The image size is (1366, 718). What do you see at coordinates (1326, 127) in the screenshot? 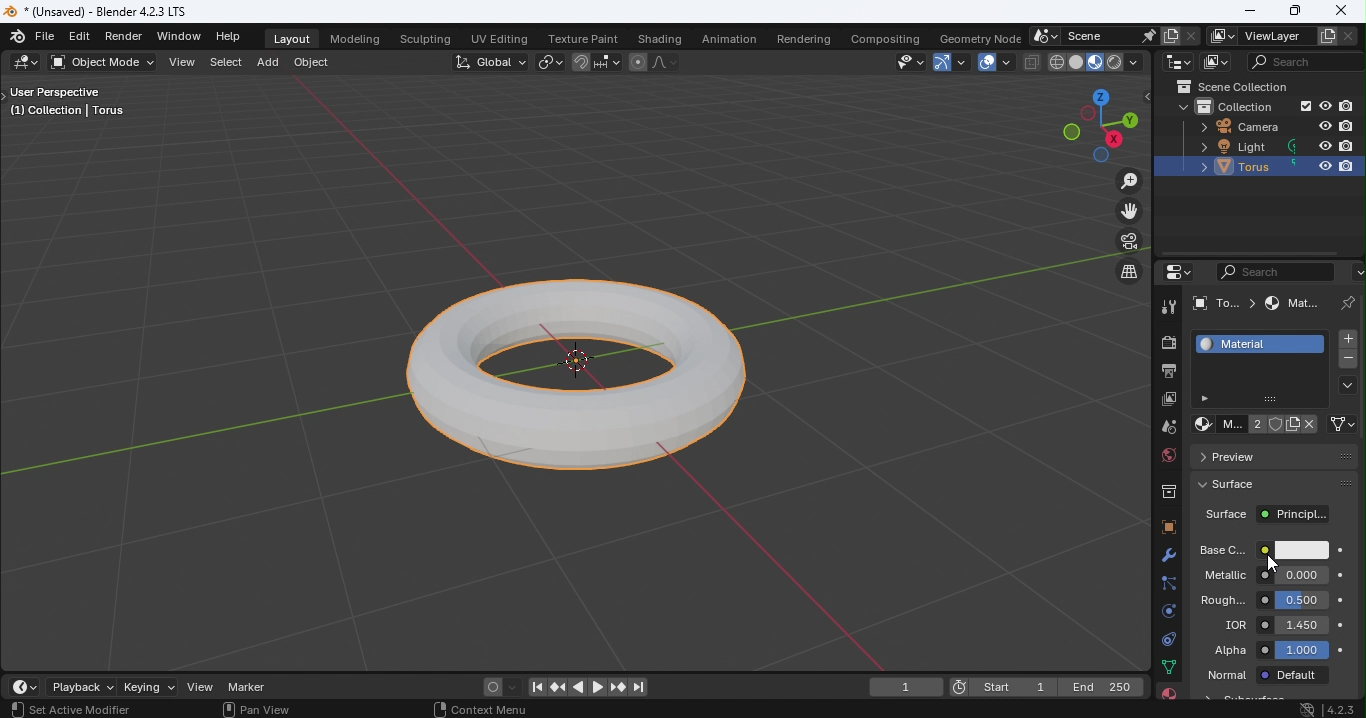
I see `Hide in viewpoint` at bounding box center [1326, 127].